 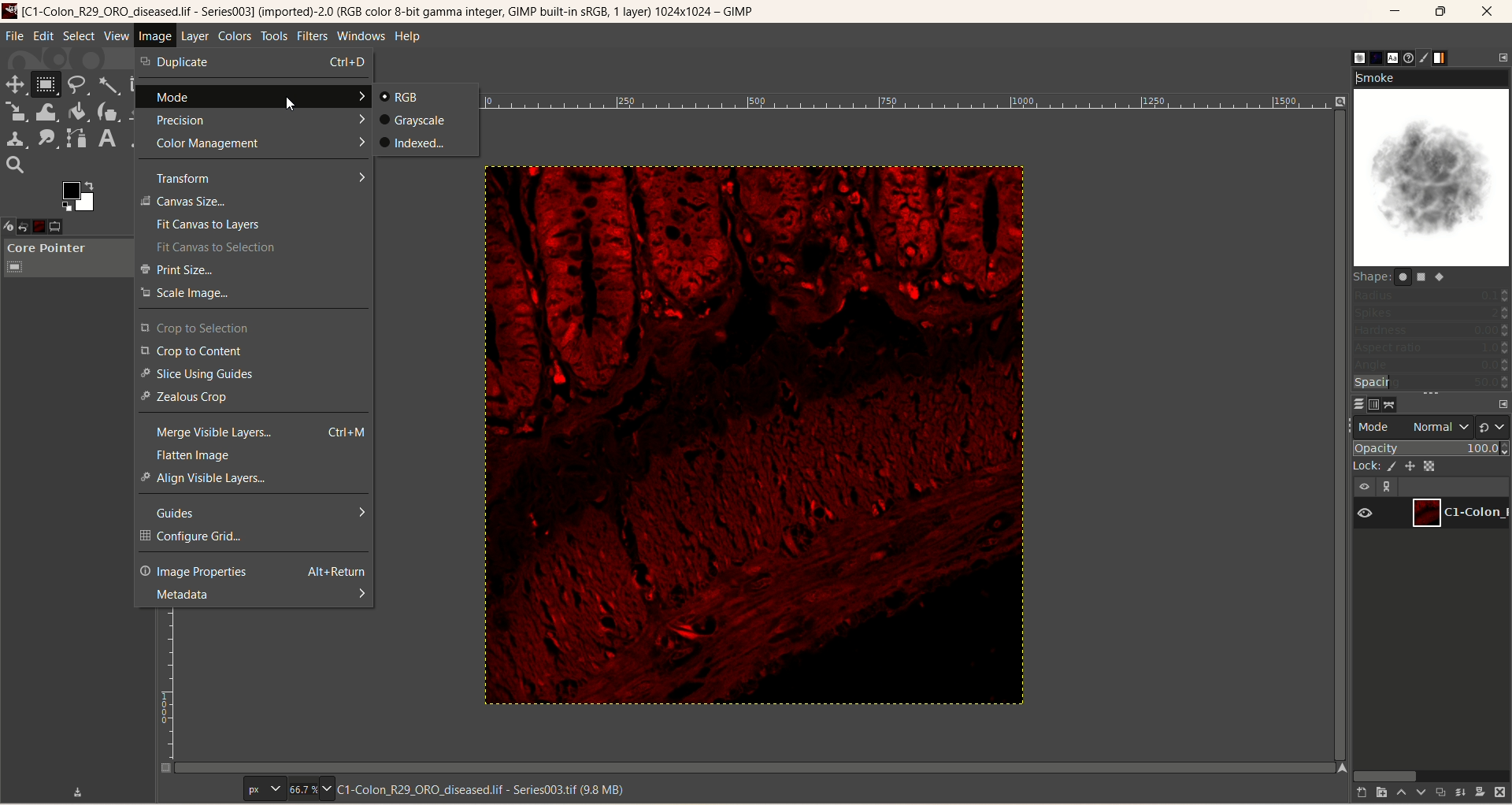 I want to click on crop to selection, so click(x=254, y=328).